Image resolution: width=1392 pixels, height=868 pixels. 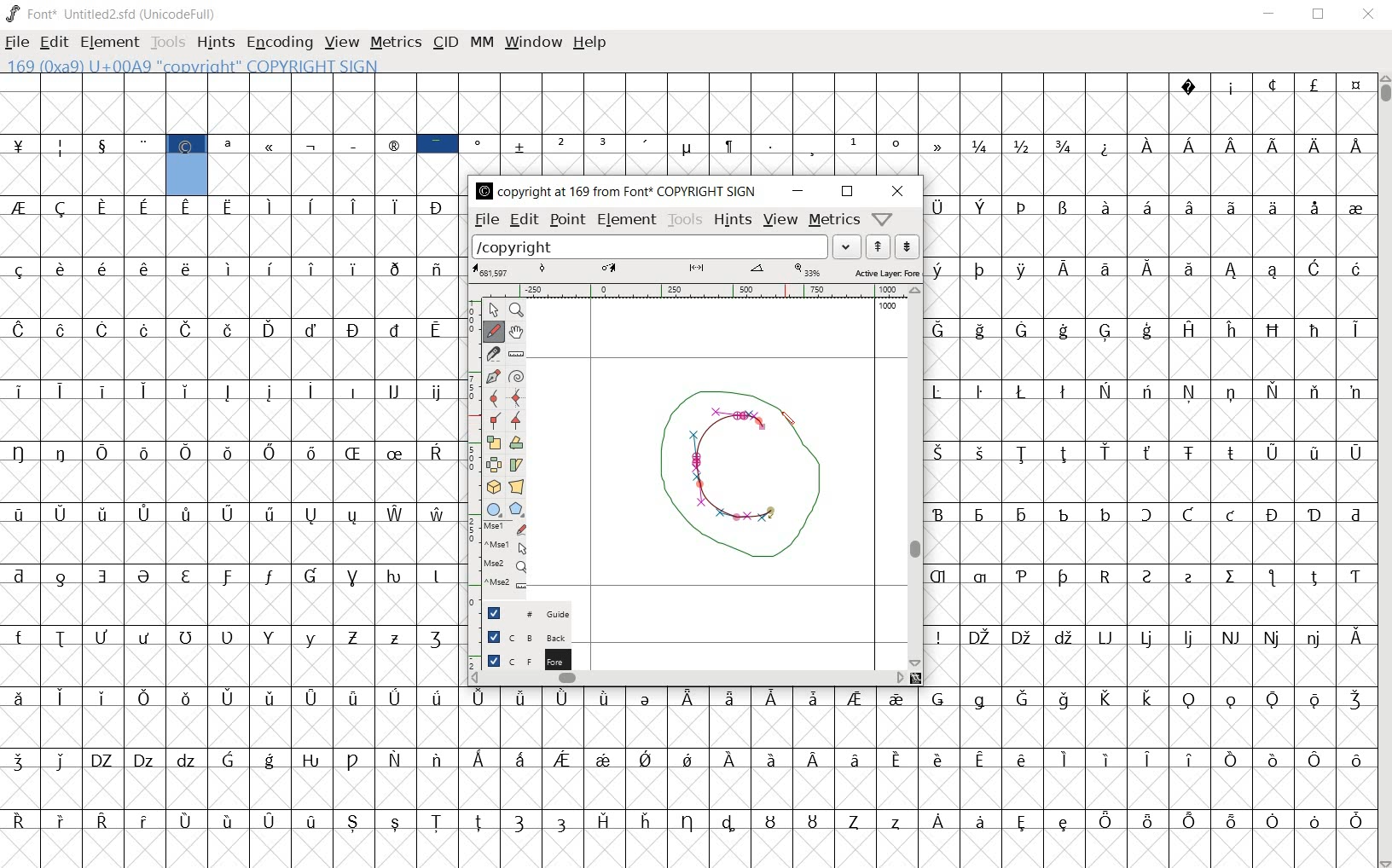 I want to click on polygon or star, so click(x=516, y=510).